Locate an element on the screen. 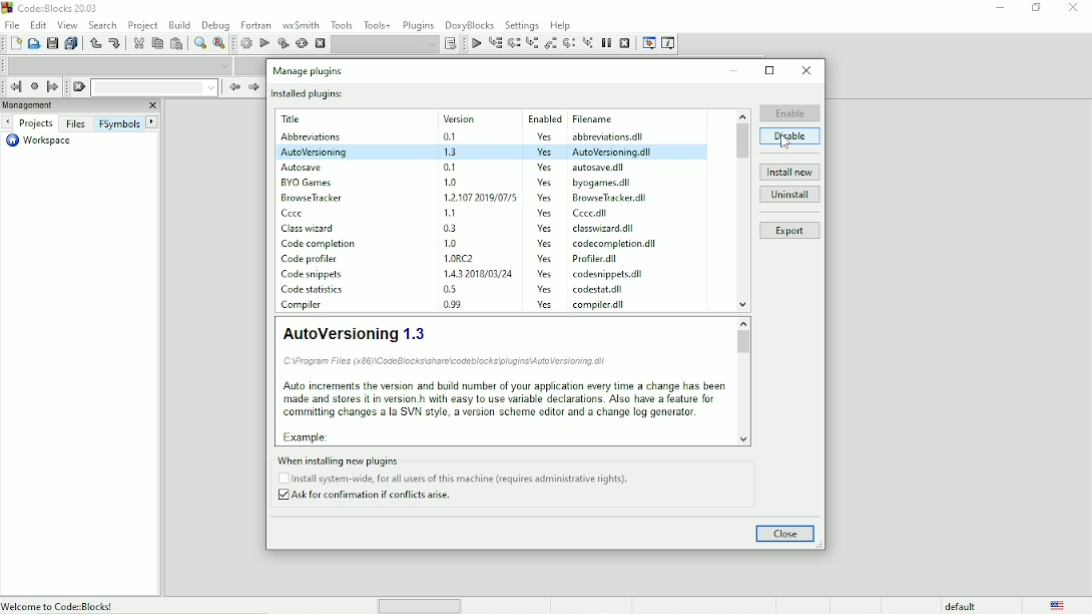 This screenshot has width=1092, height=614. Profiler.dll is located at coordinates (598, 259).